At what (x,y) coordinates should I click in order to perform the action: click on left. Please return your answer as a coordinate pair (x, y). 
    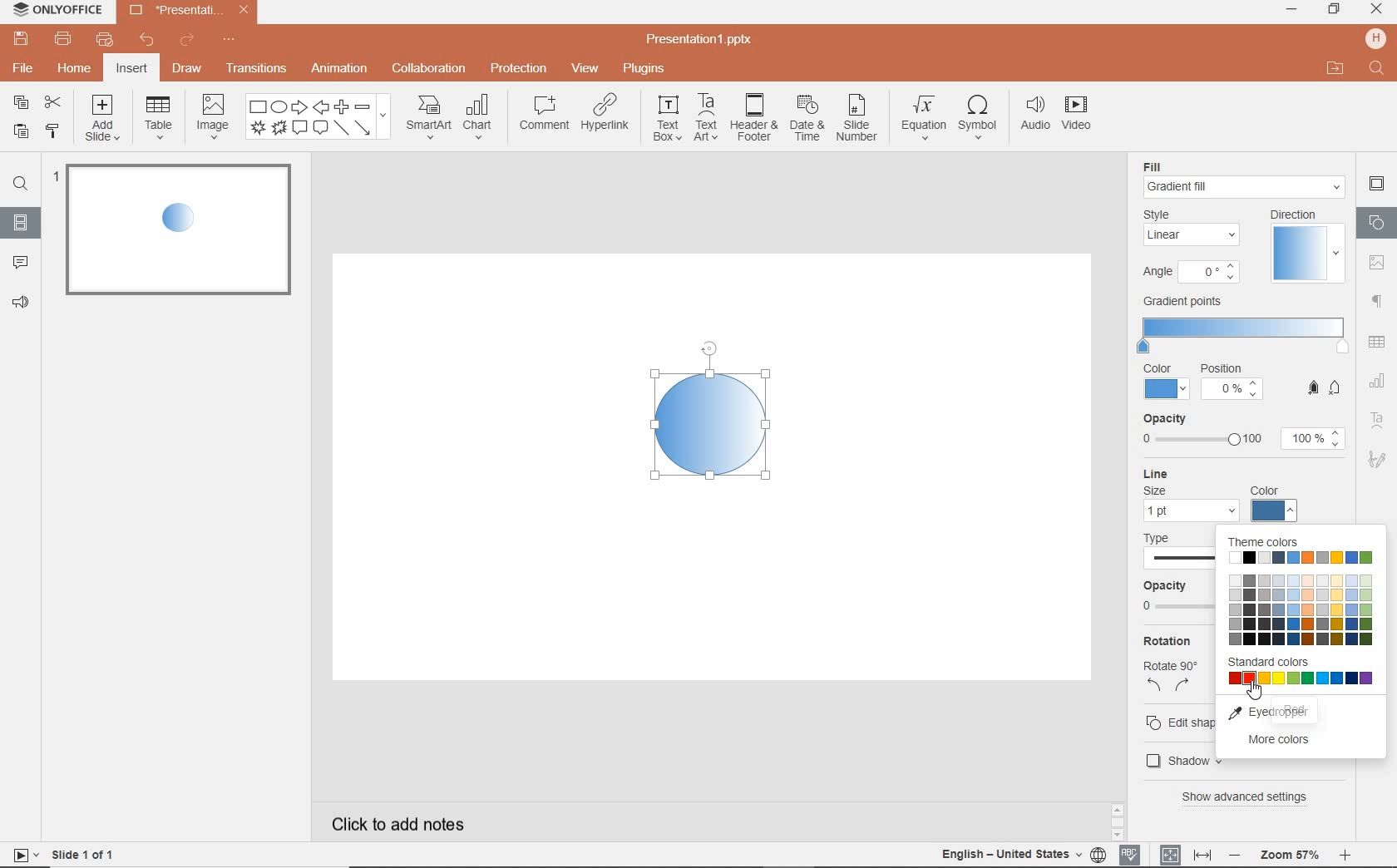
    Looking at the image, I should click on (1155, 688).